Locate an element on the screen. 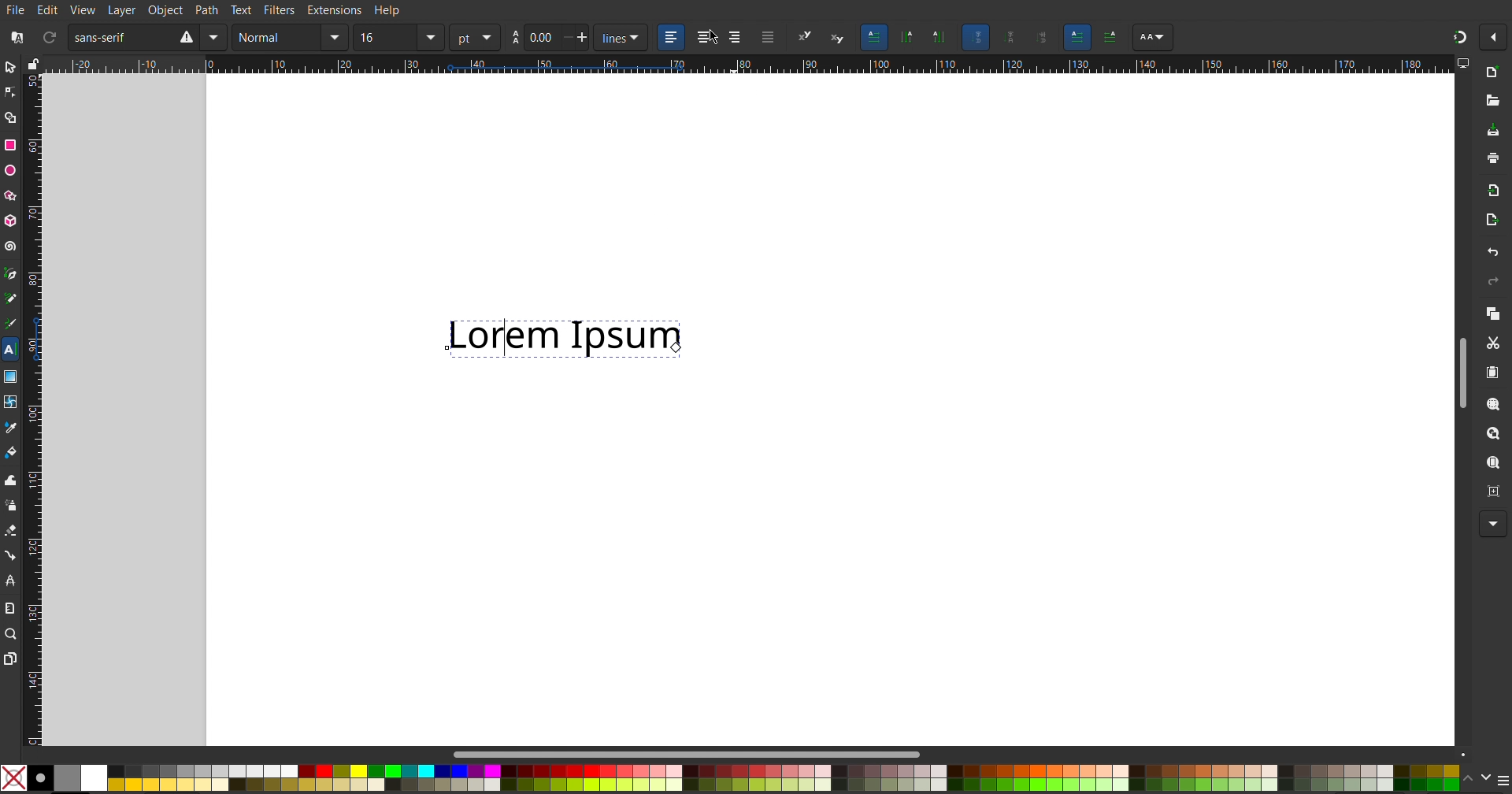 The image size is (1512, 794). Paste is located at coordinates (1492, 373).